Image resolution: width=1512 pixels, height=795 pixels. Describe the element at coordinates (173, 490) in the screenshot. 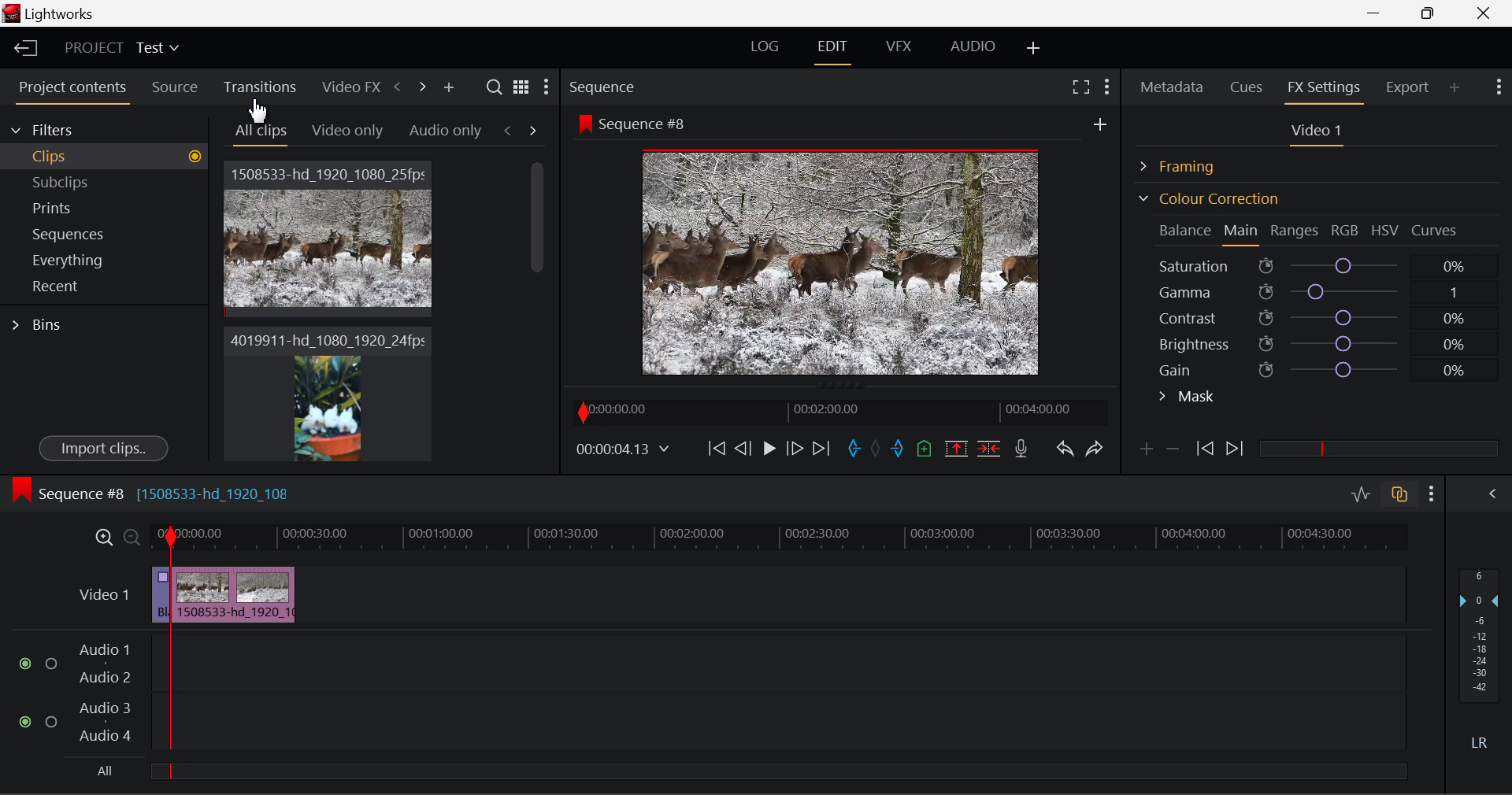

I see `Sequence #8` at that location.